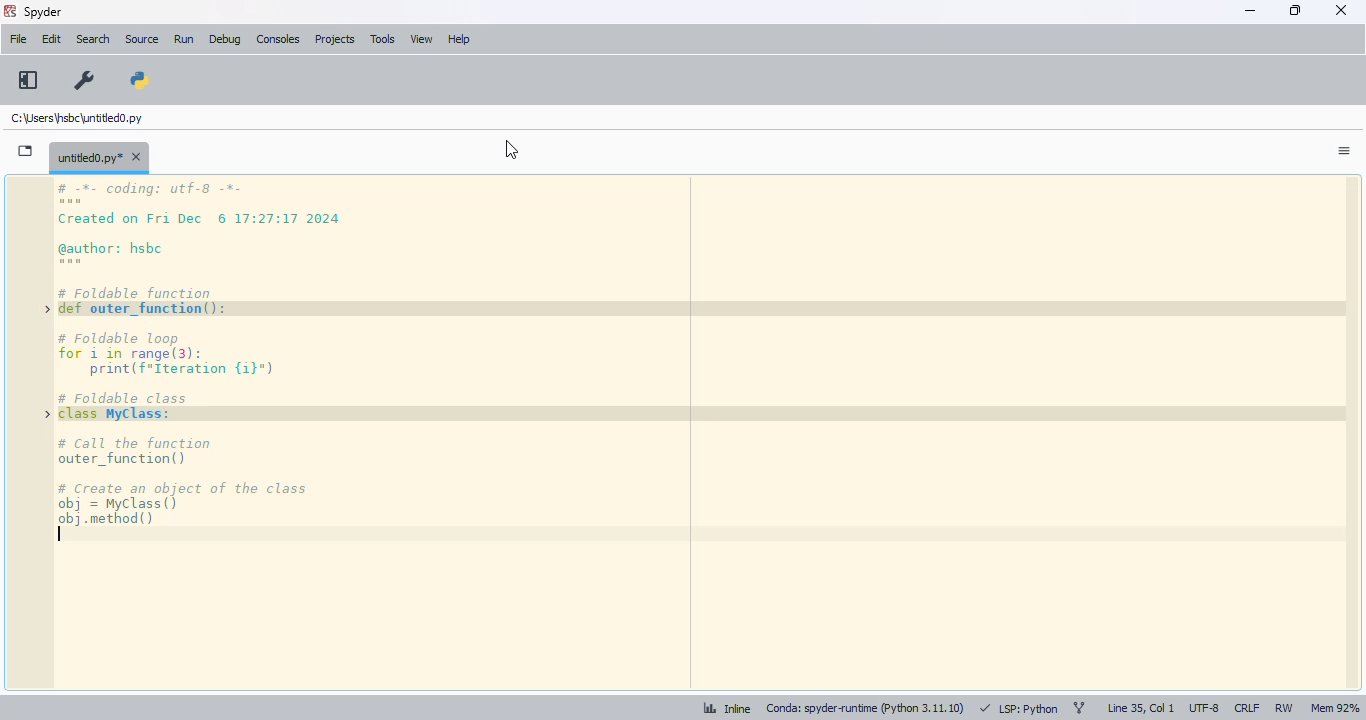 The width and height of the screenshot is (1366, 720). What do you see at coordinates (26, 151) in the screenshot?
I see `browse tabs` at bounding box center [26, 151].